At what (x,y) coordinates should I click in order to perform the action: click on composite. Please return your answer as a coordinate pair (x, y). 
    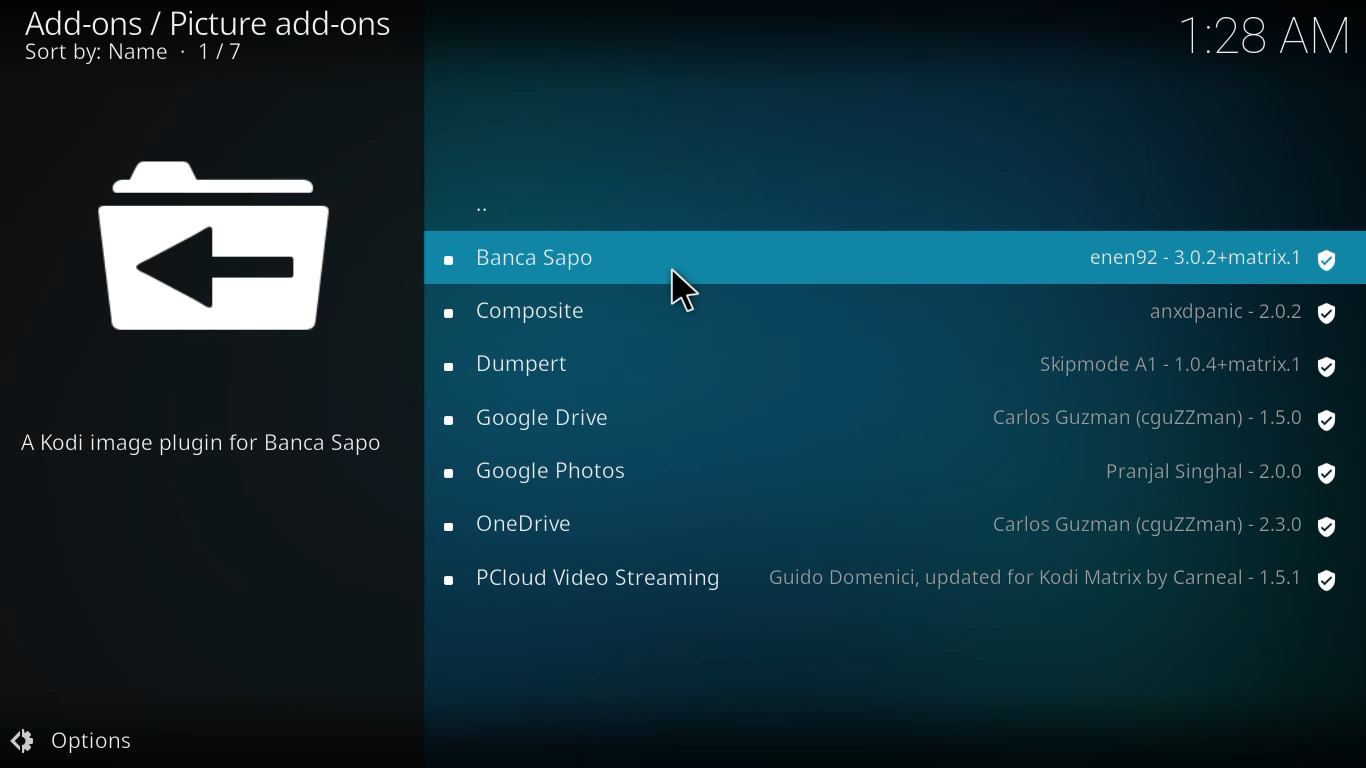
    Looking at the image, I should click on (519, 312).